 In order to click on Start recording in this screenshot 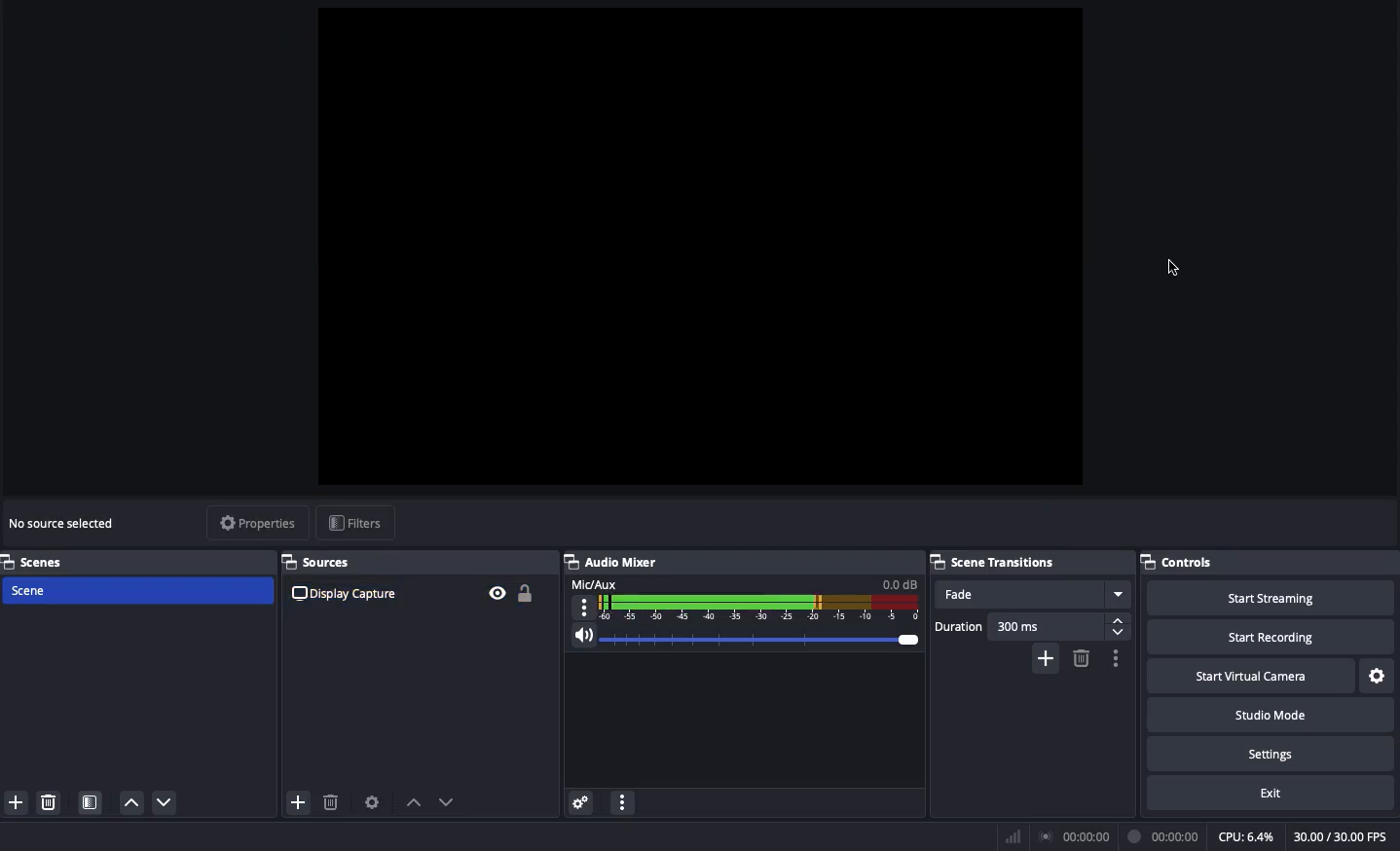, I will do `click(1273, 636)`.